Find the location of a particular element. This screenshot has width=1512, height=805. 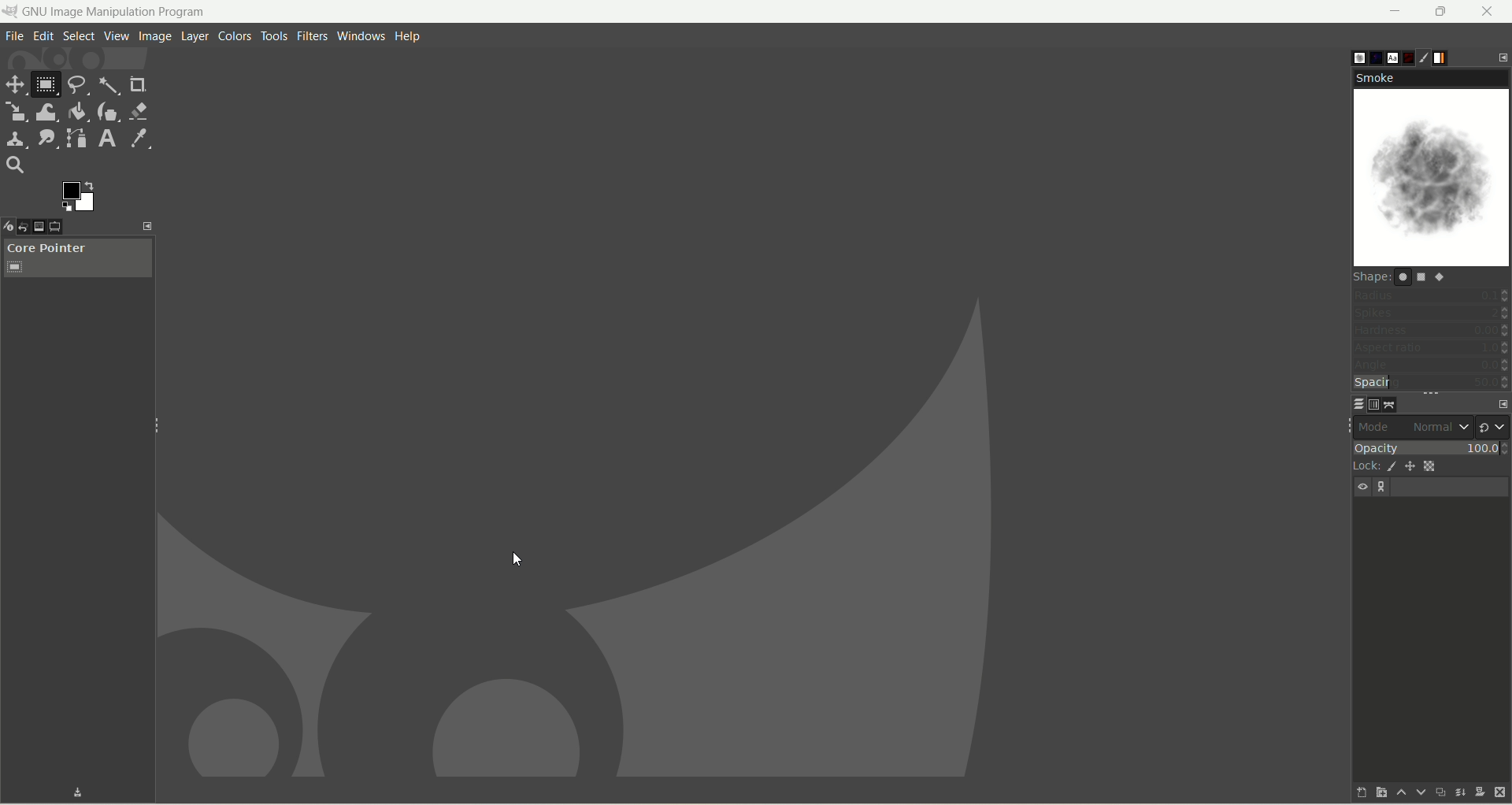

opacity is located at coordinates (1430, 446).